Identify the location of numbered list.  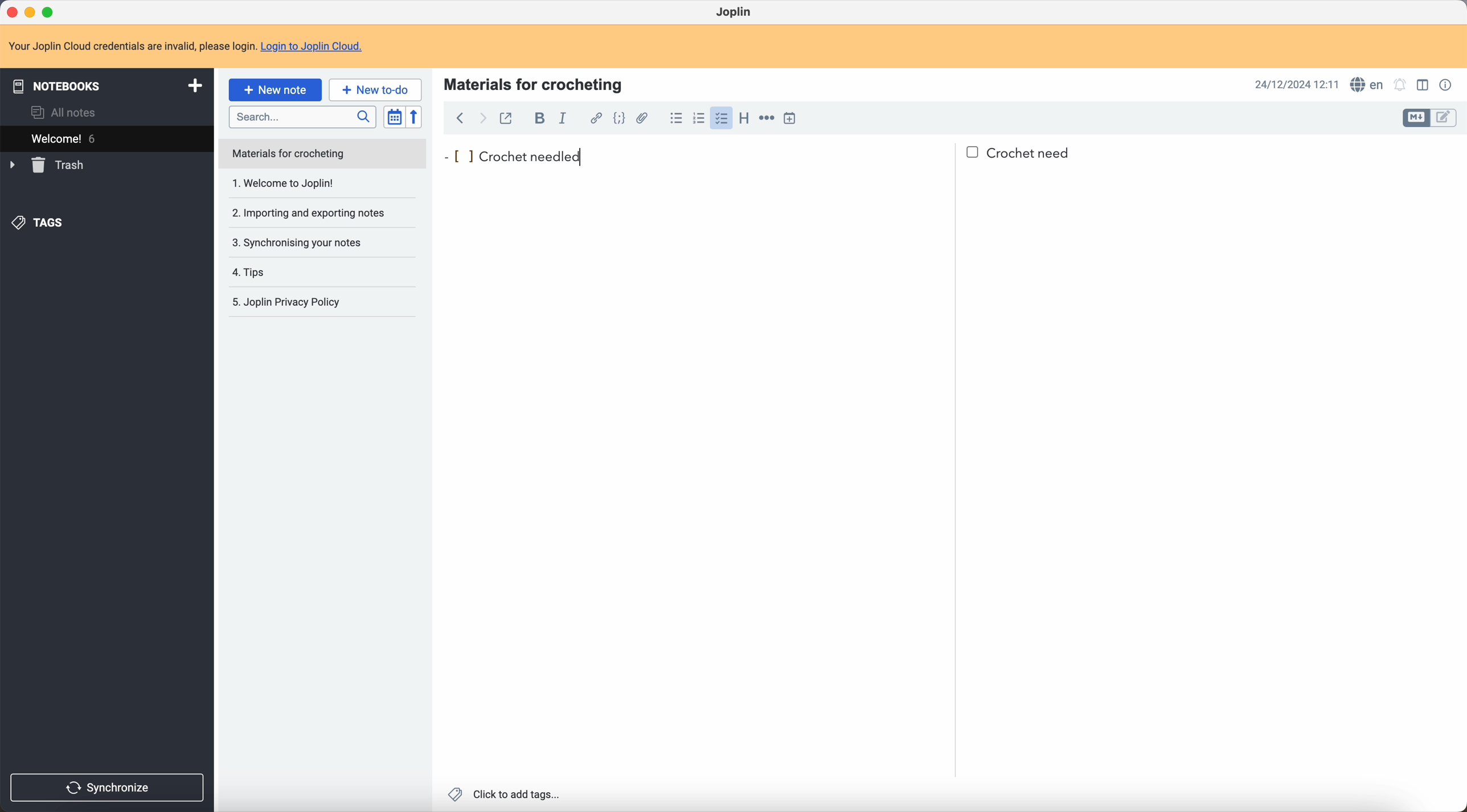
(698, 118).